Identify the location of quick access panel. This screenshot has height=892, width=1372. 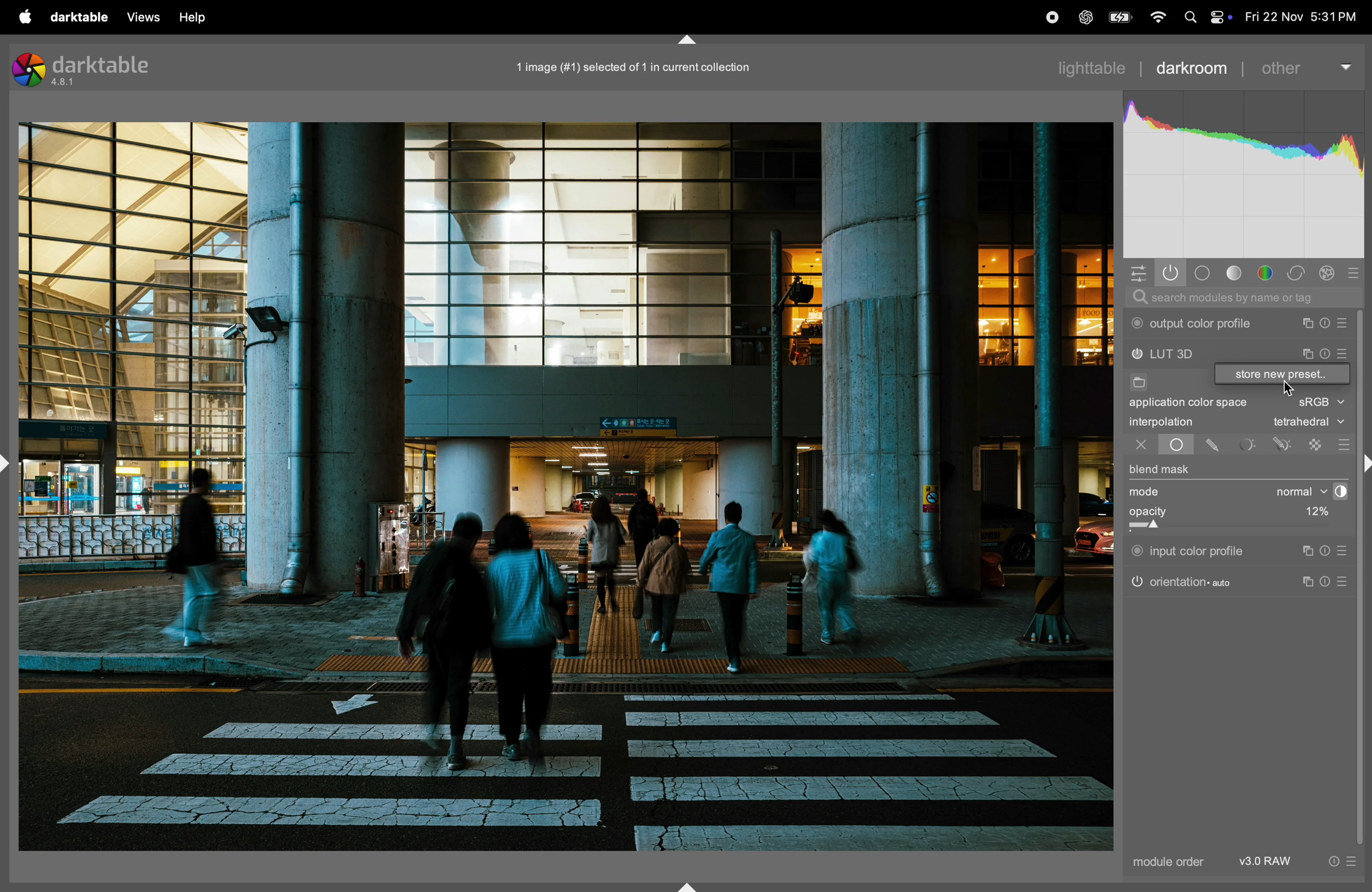
(1136, 271).